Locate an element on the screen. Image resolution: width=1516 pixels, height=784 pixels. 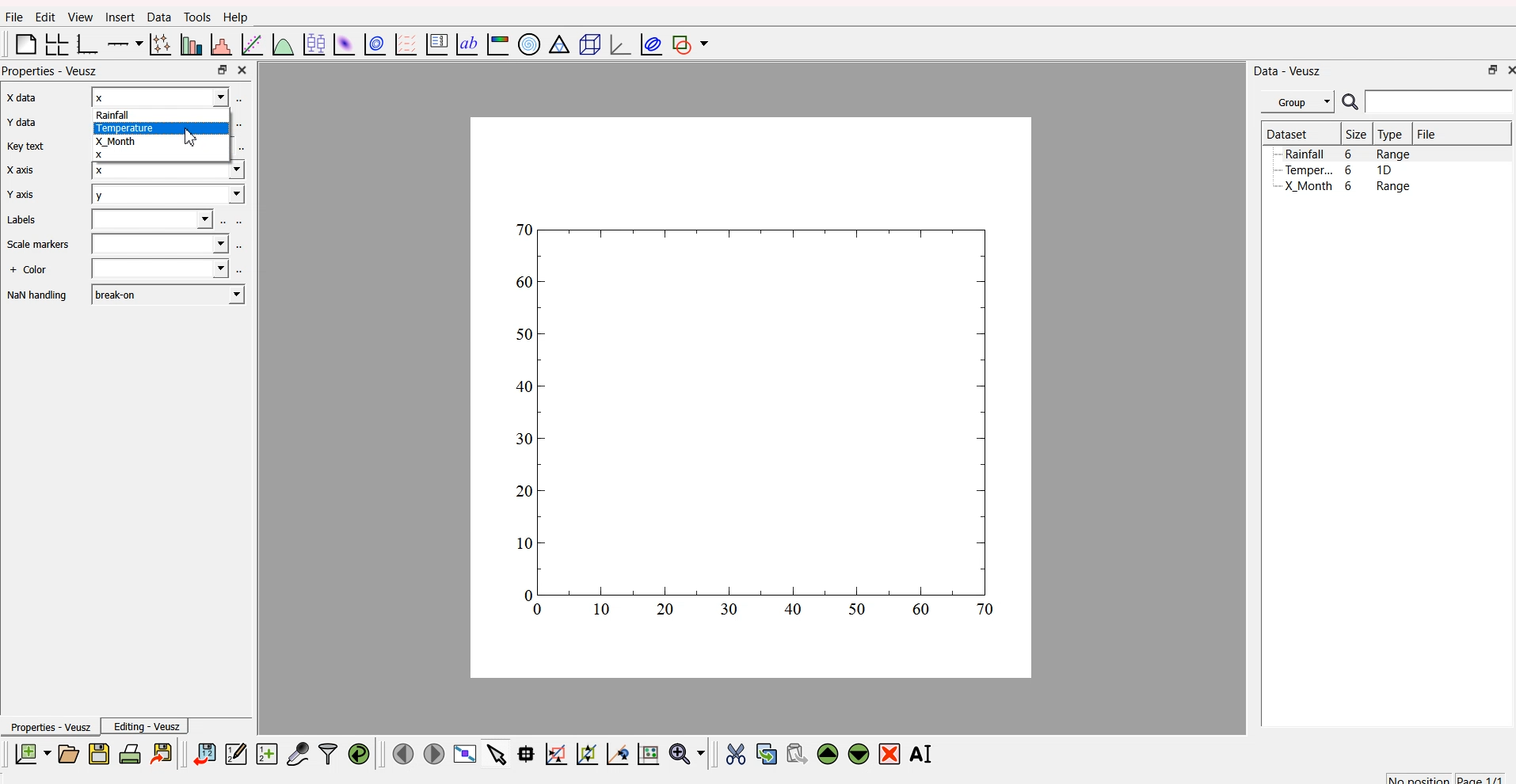
histogram of dataset is located at coordinates (223, 45).